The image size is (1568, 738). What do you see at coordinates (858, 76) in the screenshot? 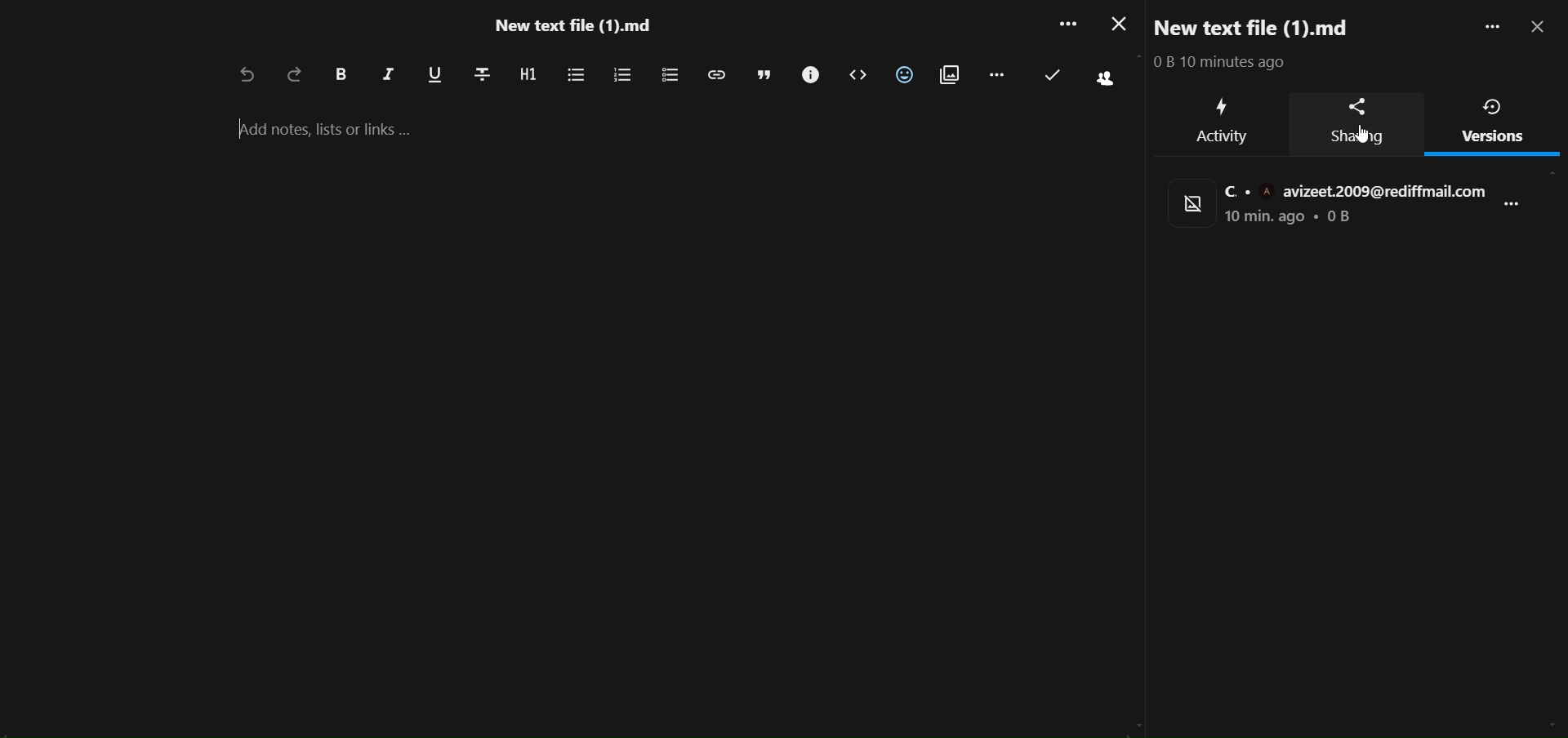
I see `code block` at bounding box center [858, 76].